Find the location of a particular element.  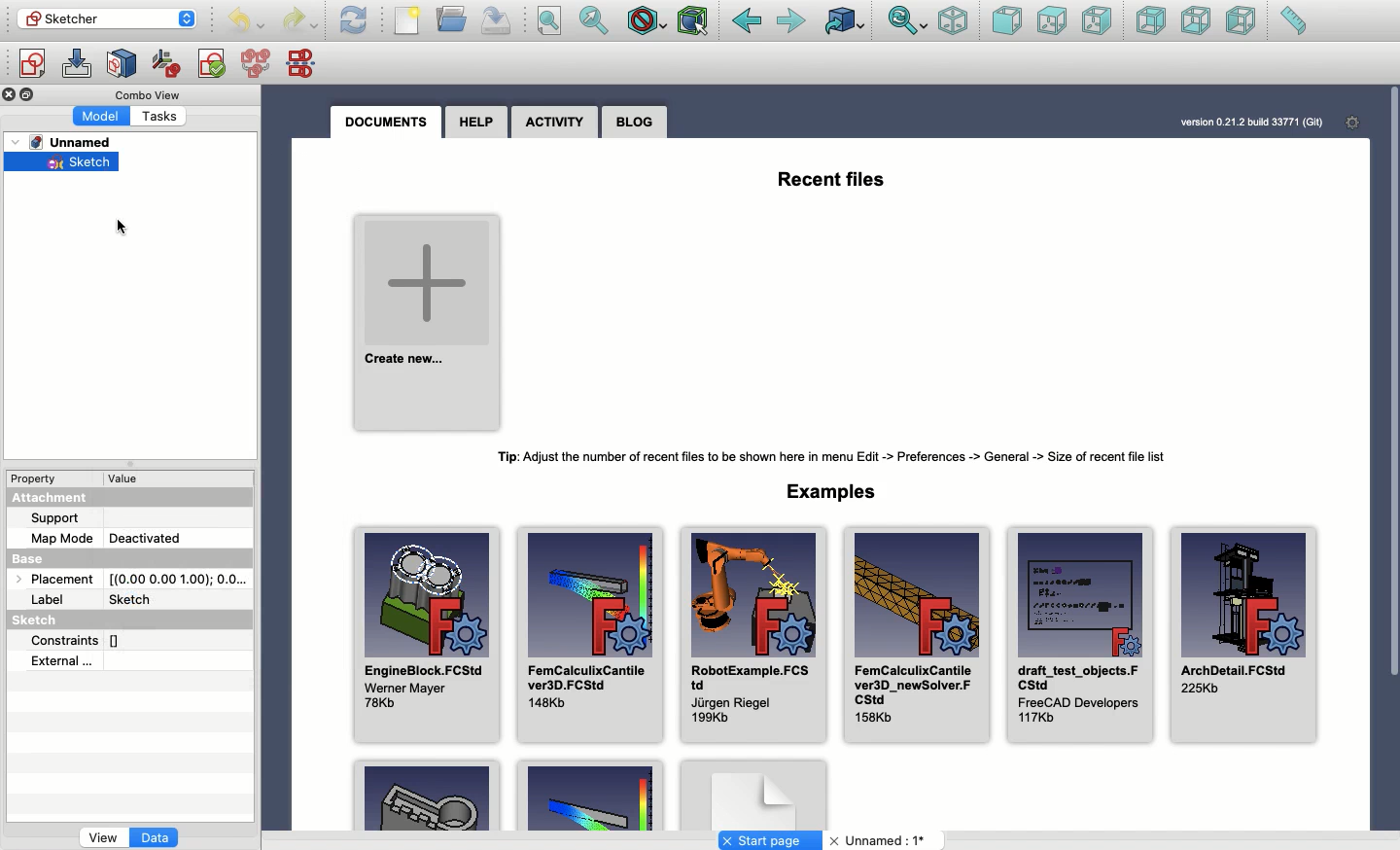

Sketch is located at coordinates (135, 597).